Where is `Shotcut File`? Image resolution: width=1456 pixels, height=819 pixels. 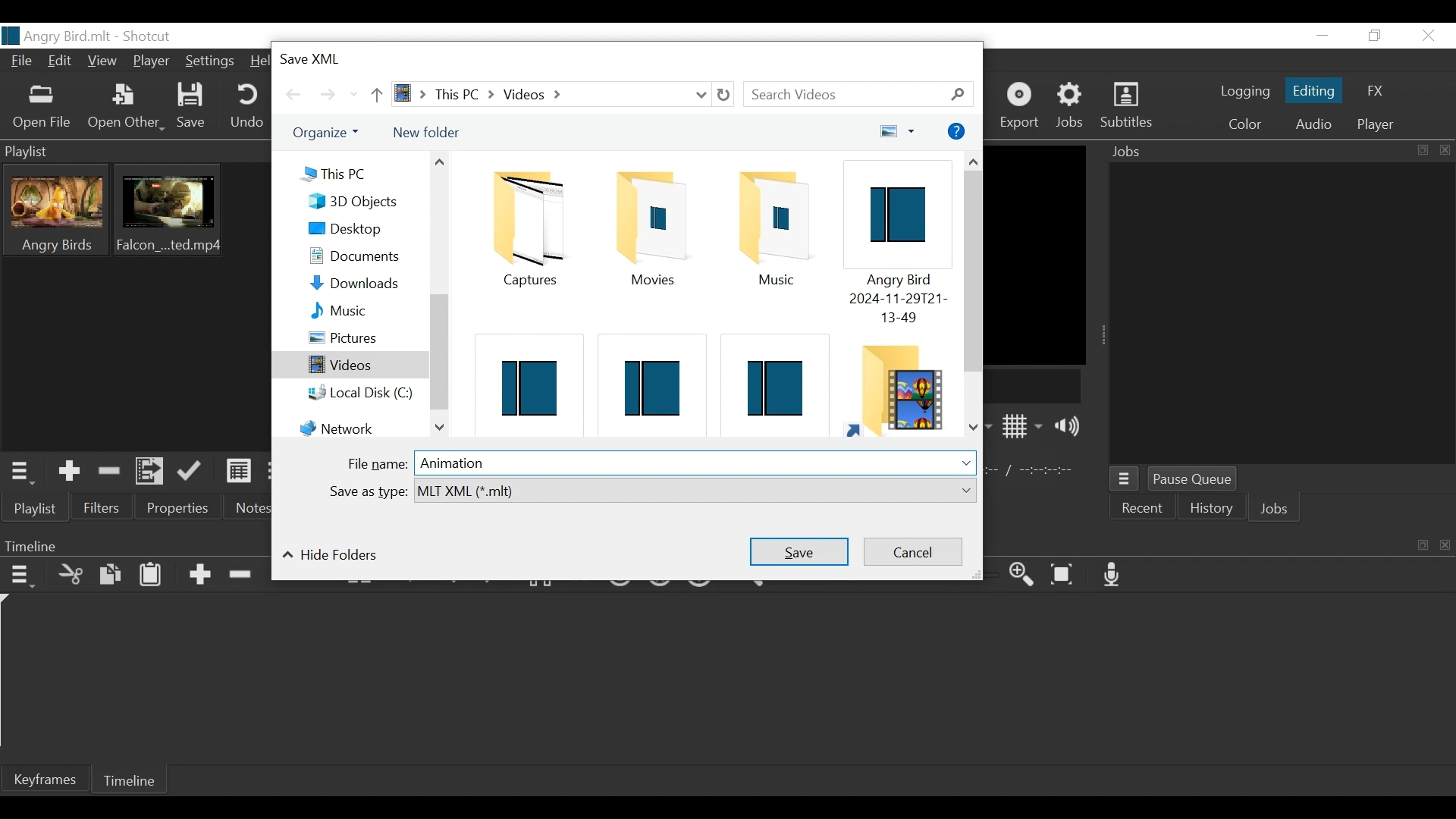 Shotcut File is located at coordinates (526, 379).